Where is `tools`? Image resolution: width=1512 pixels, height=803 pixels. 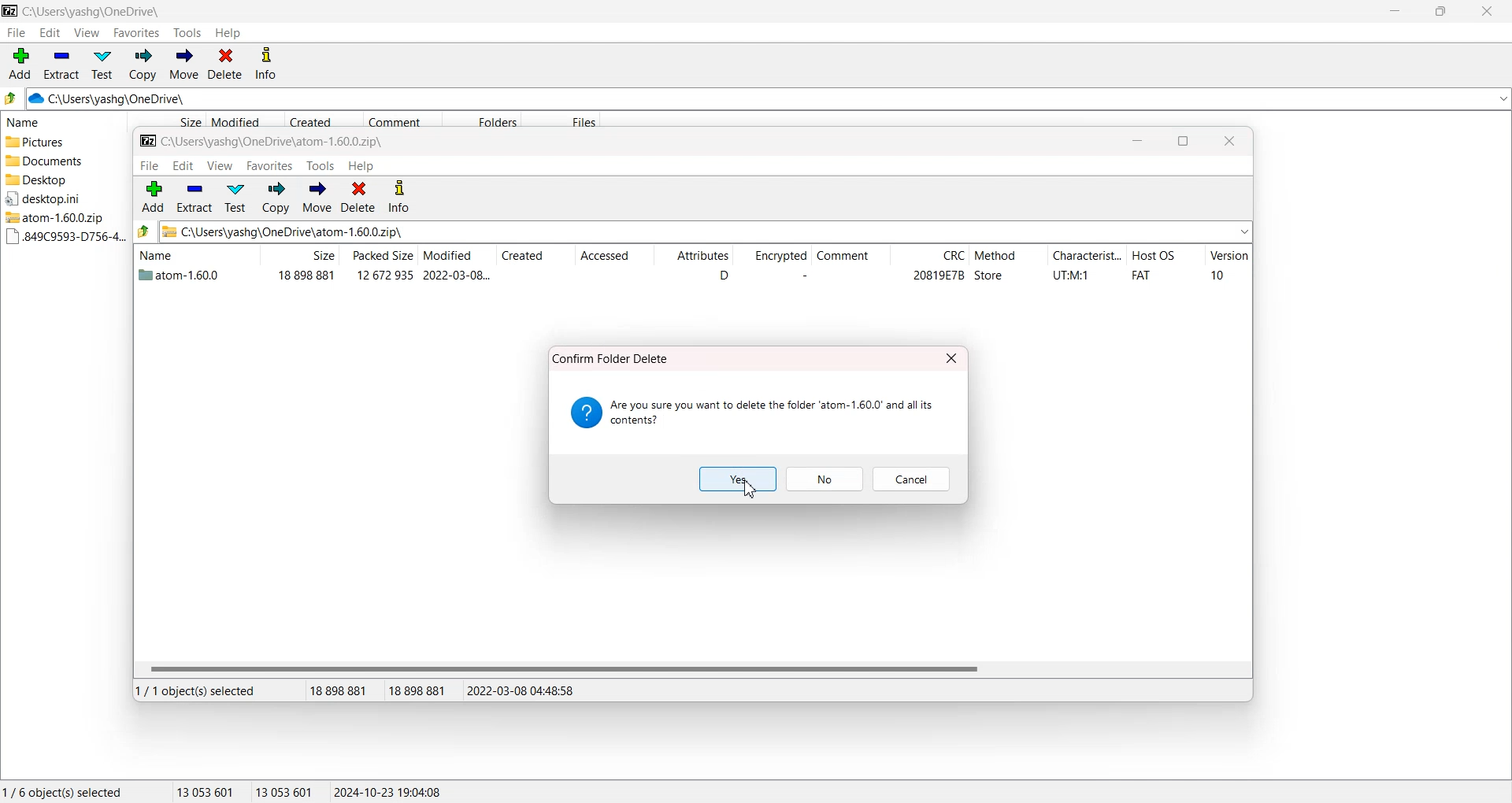
tools is located at coordinates (321, 166).